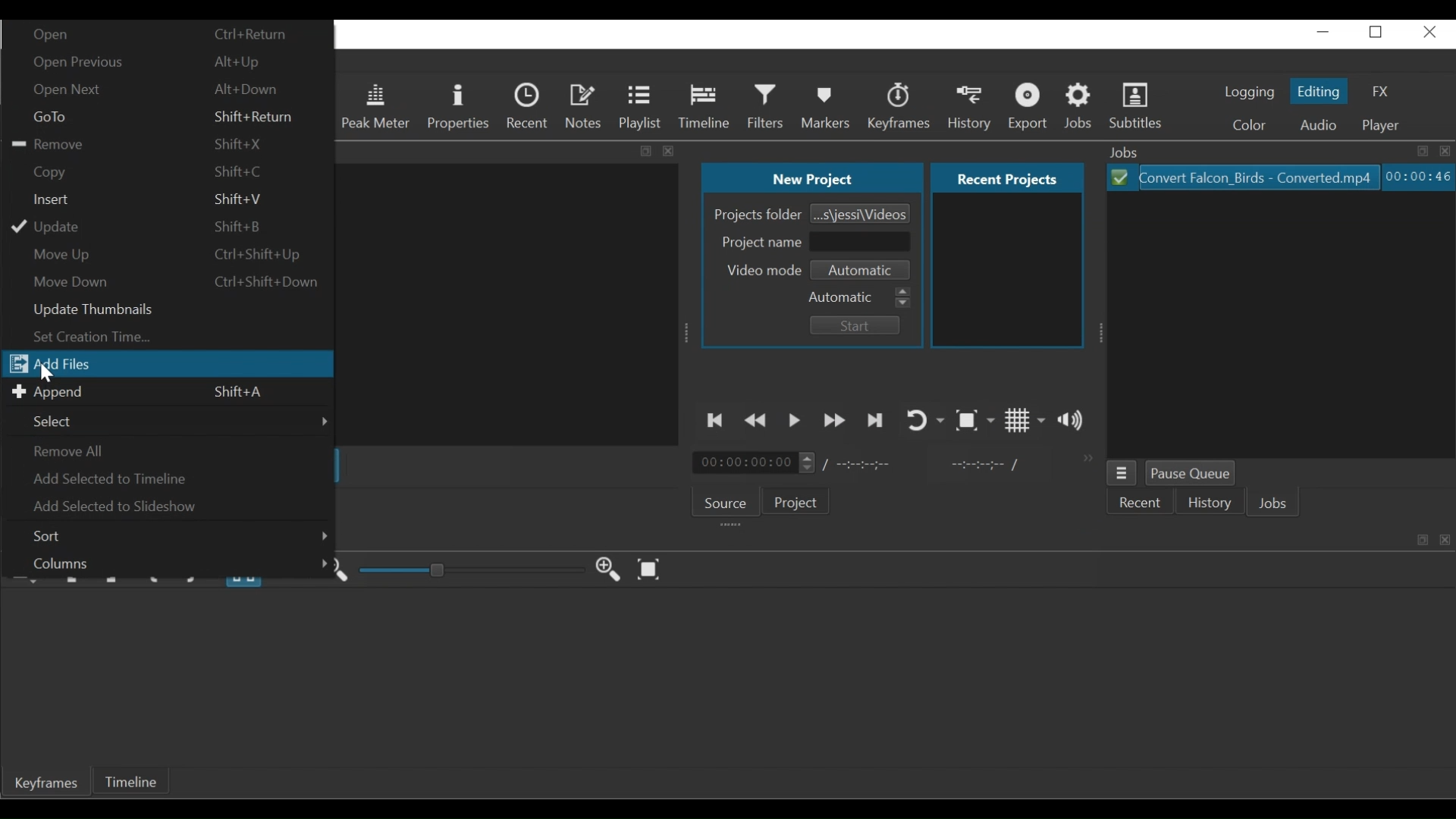 Image resolution: width=1456 pixels, height=819 pixels. What do you see at coordinates (761, 271) in the screenshot?
I see `Video mode` at bounding box center [761, 271].